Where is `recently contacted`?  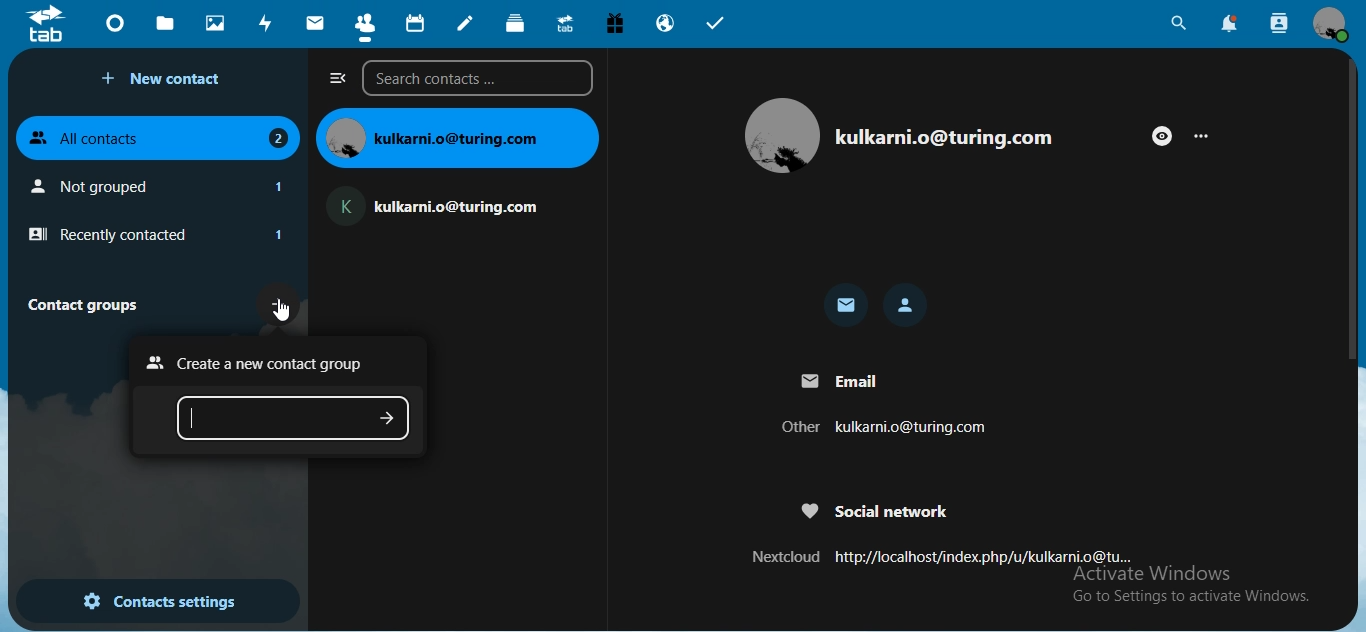
recently contacted is located at coordinates (155, 235).